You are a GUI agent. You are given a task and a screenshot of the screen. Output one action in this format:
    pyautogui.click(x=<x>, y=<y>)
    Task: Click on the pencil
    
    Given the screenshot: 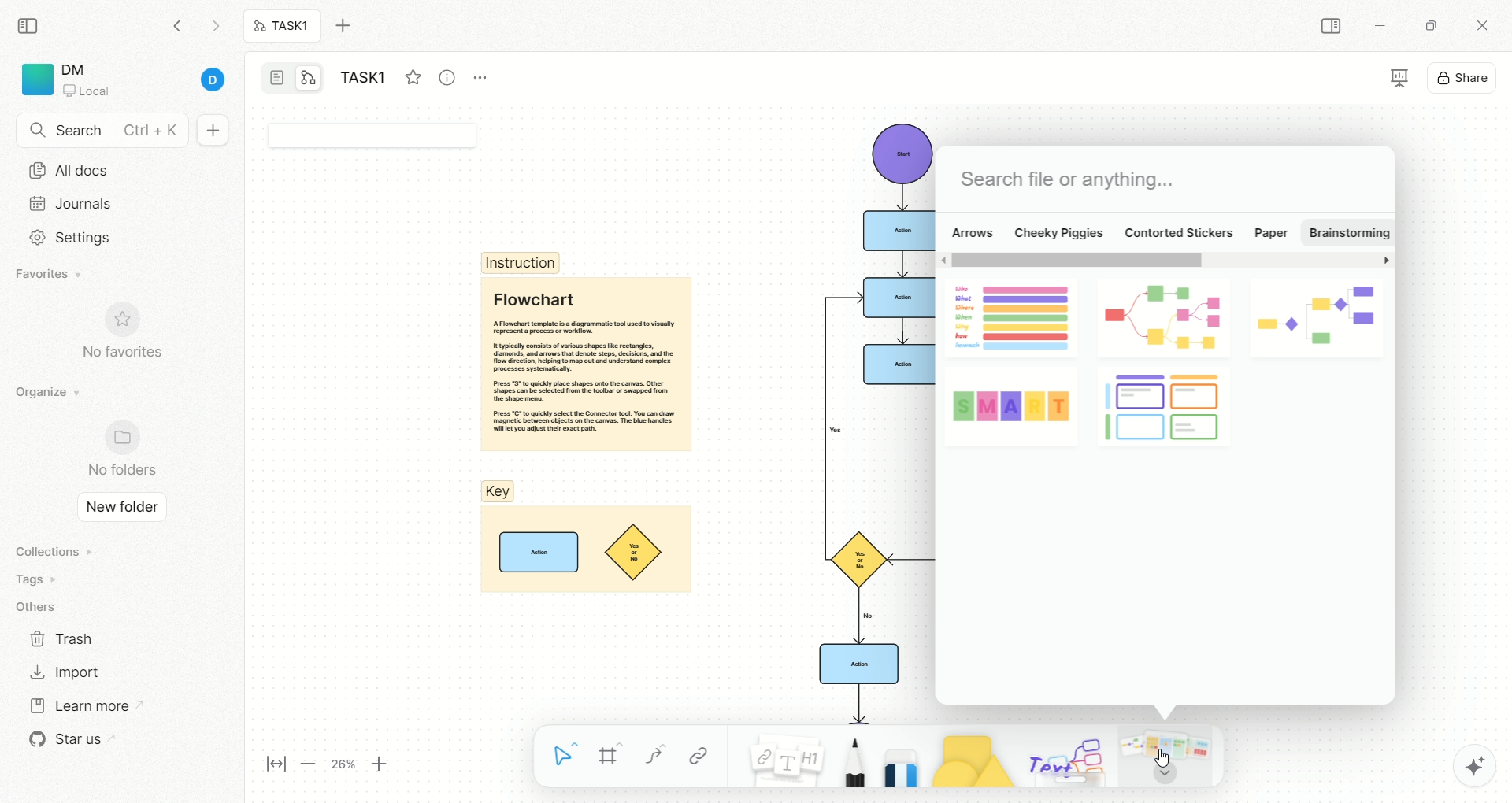 What is the action you would take?
    pyautogui.click(x=850, y=758)
    